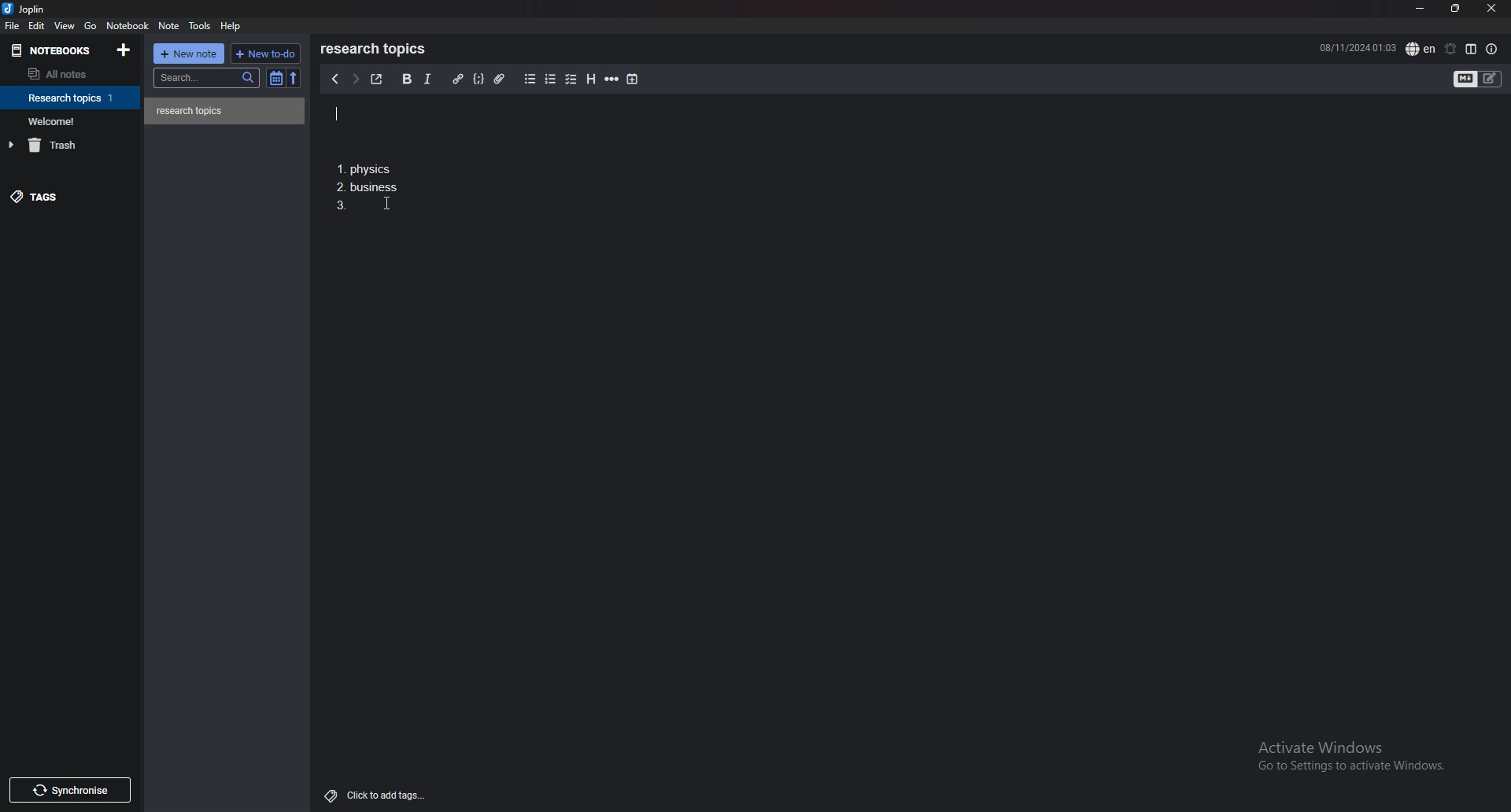 The image size is (1511, 812). What do you see at coordinates (396, 206) in the screenshot?
I see `cursor` at bounding box center [396, 206].